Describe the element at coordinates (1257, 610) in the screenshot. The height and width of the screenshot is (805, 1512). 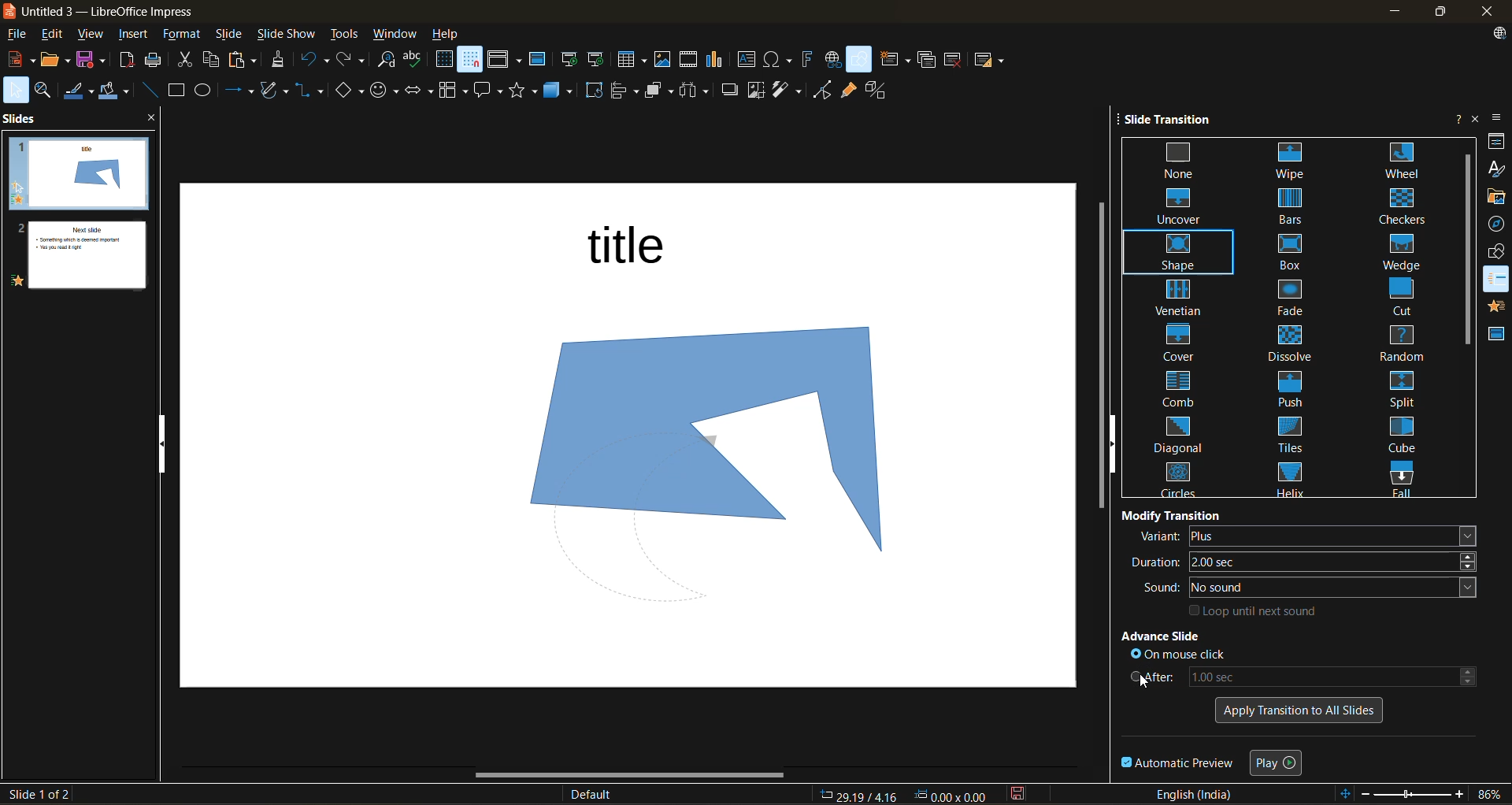
I see `loop until next sound` at that location.